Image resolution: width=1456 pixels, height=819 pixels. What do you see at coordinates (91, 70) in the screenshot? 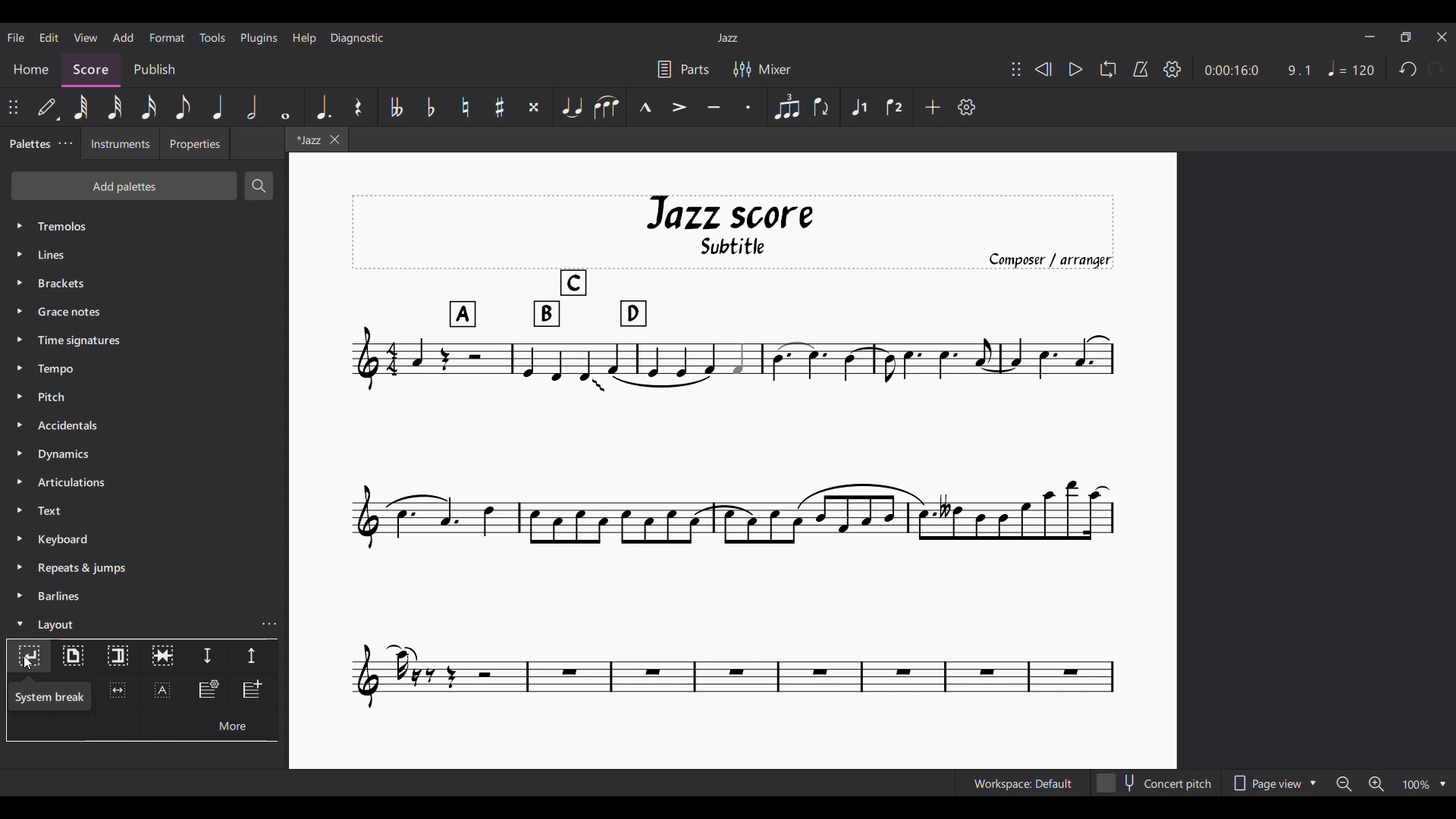
I see `Score, current section highlighted` at bounding box center [91, 70].